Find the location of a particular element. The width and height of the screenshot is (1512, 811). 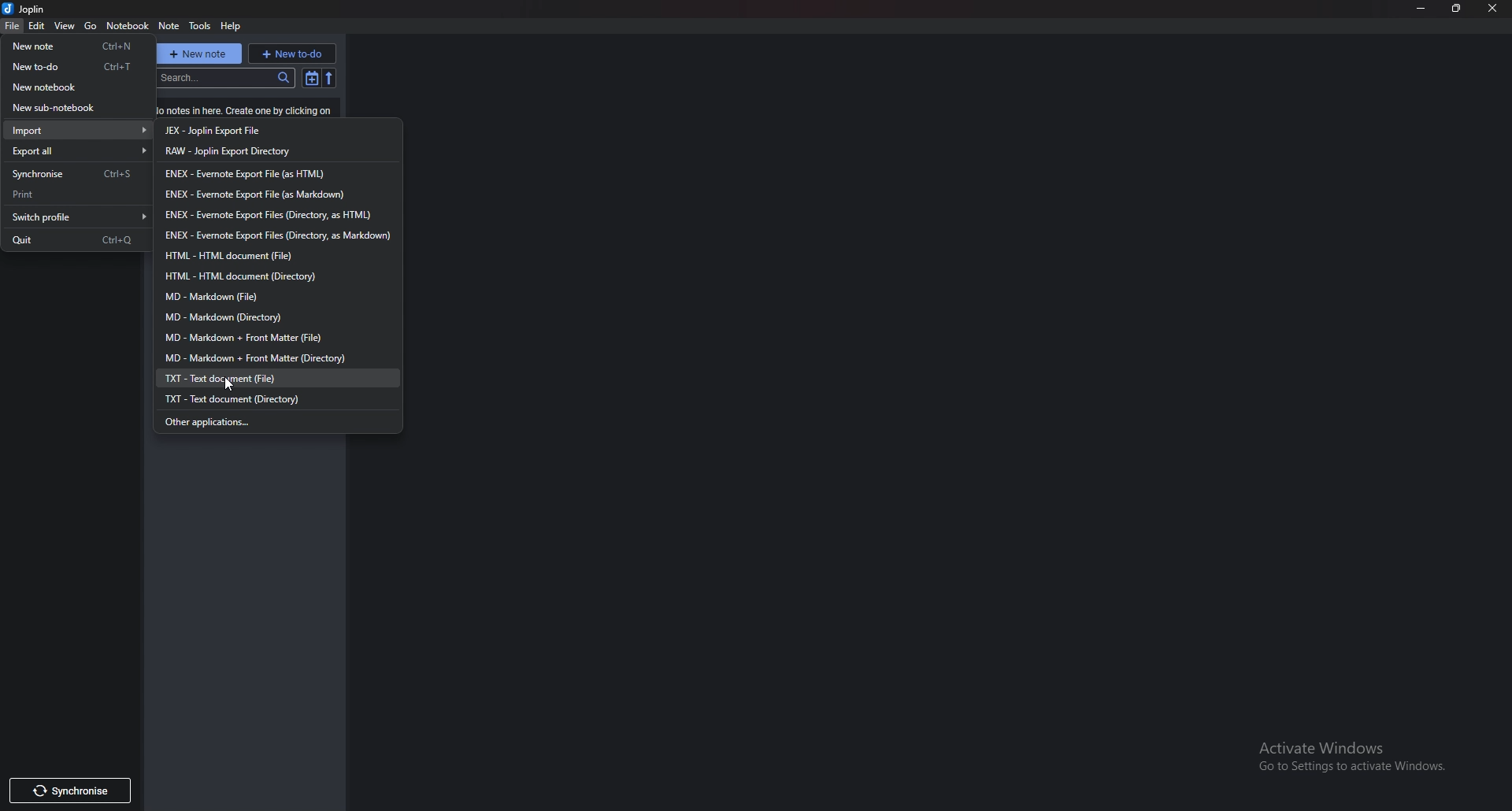

jex is located at coordinates (243, 131).